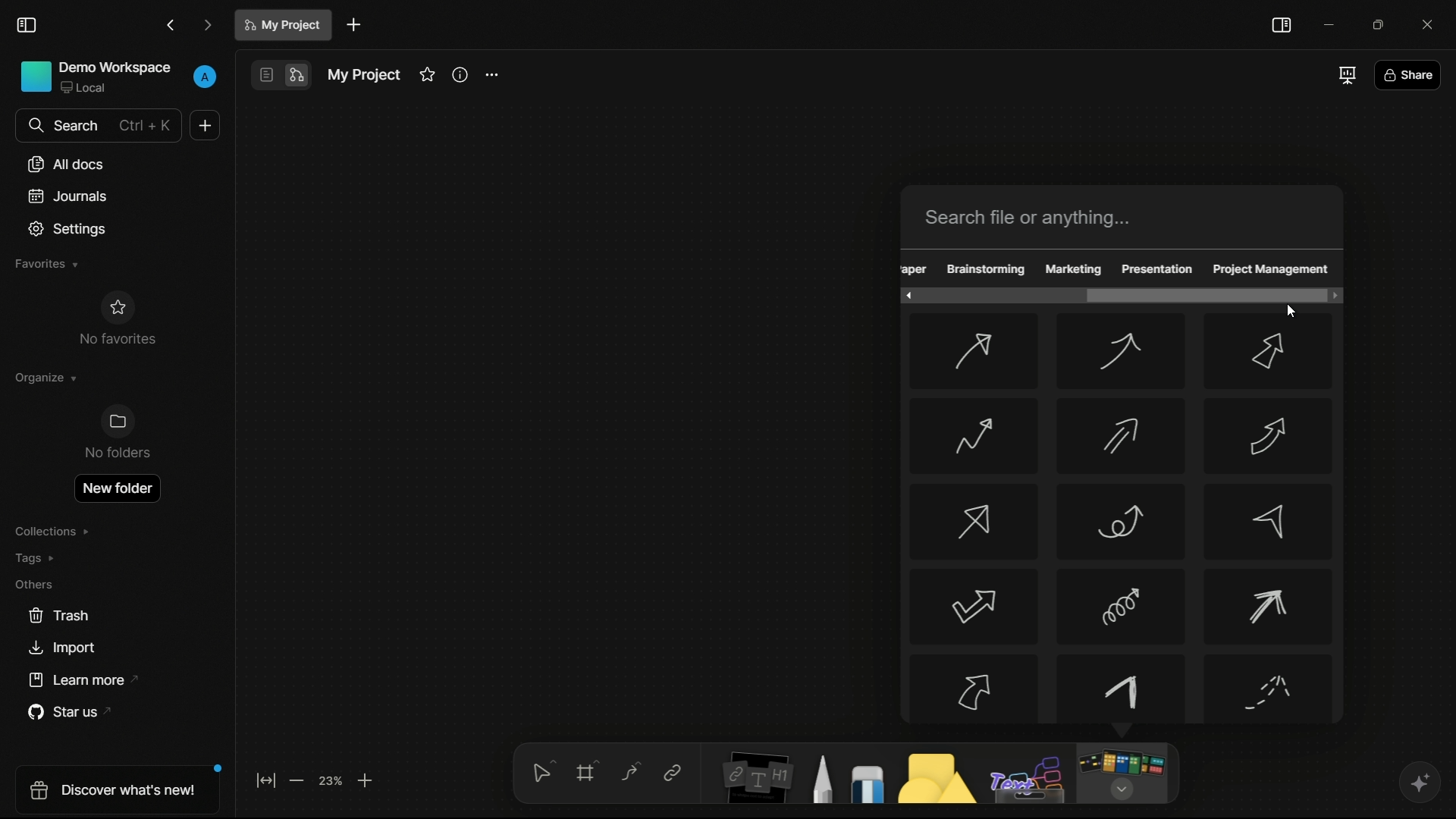 The height and width of the screenshot is (819, 1456). I want to click on notes, so click(757, 777).